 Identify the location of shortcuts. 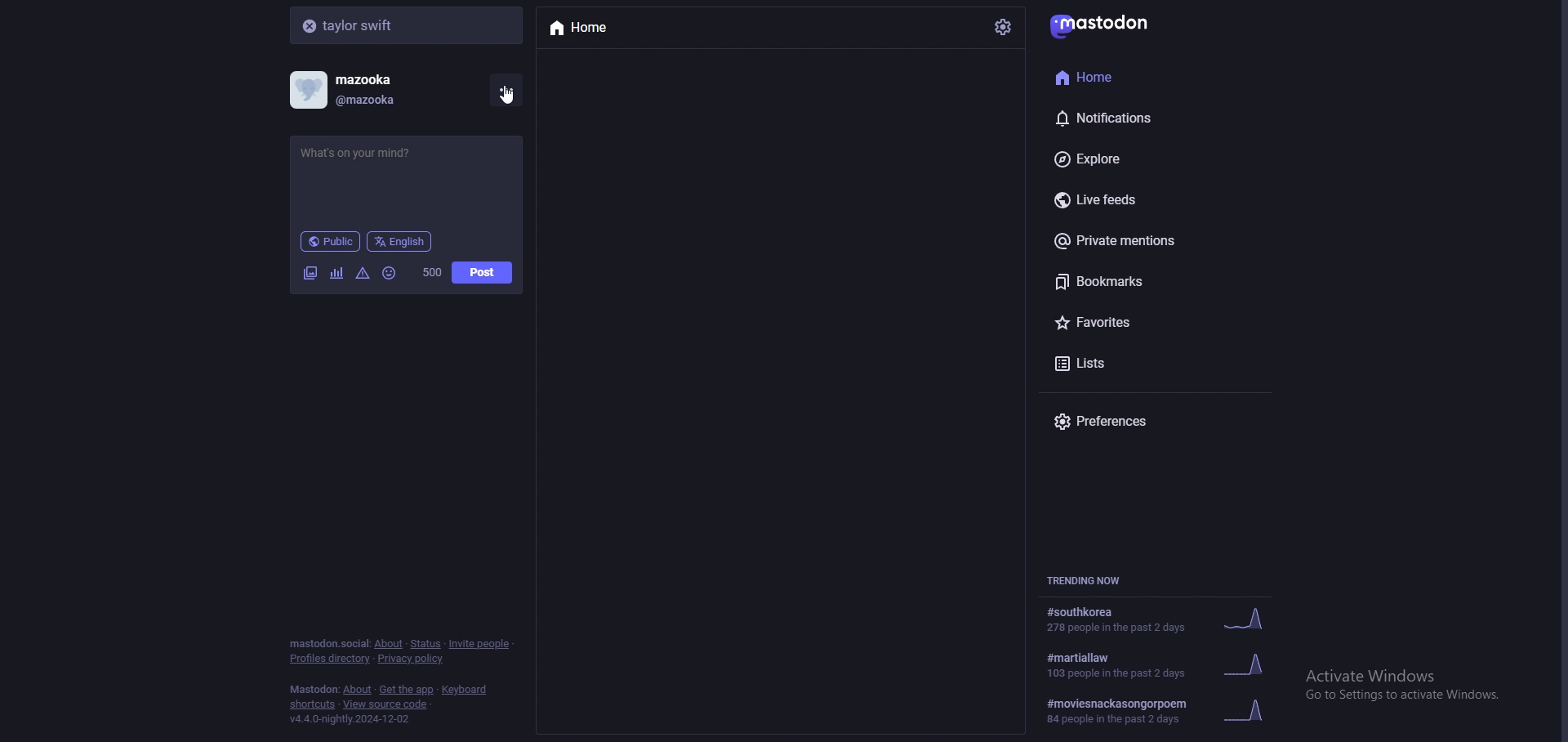
(313, 705).